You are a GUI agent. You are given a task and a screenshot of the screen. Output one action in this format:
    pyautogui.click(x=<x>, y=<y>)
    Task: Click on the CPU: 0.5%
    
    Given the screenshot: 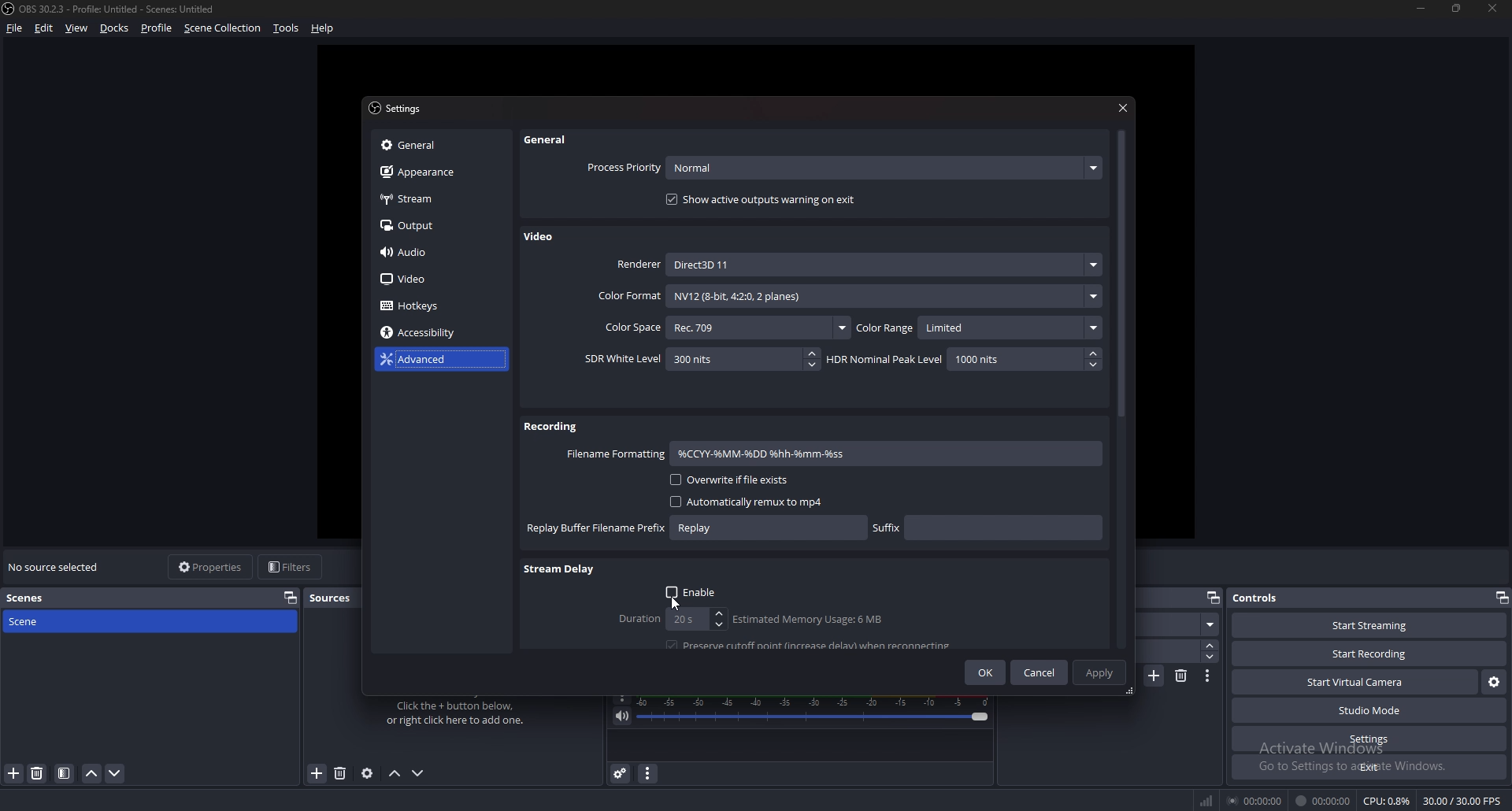 What is the action you would take?
    pyautogui.click(x=1386, y=800)
    